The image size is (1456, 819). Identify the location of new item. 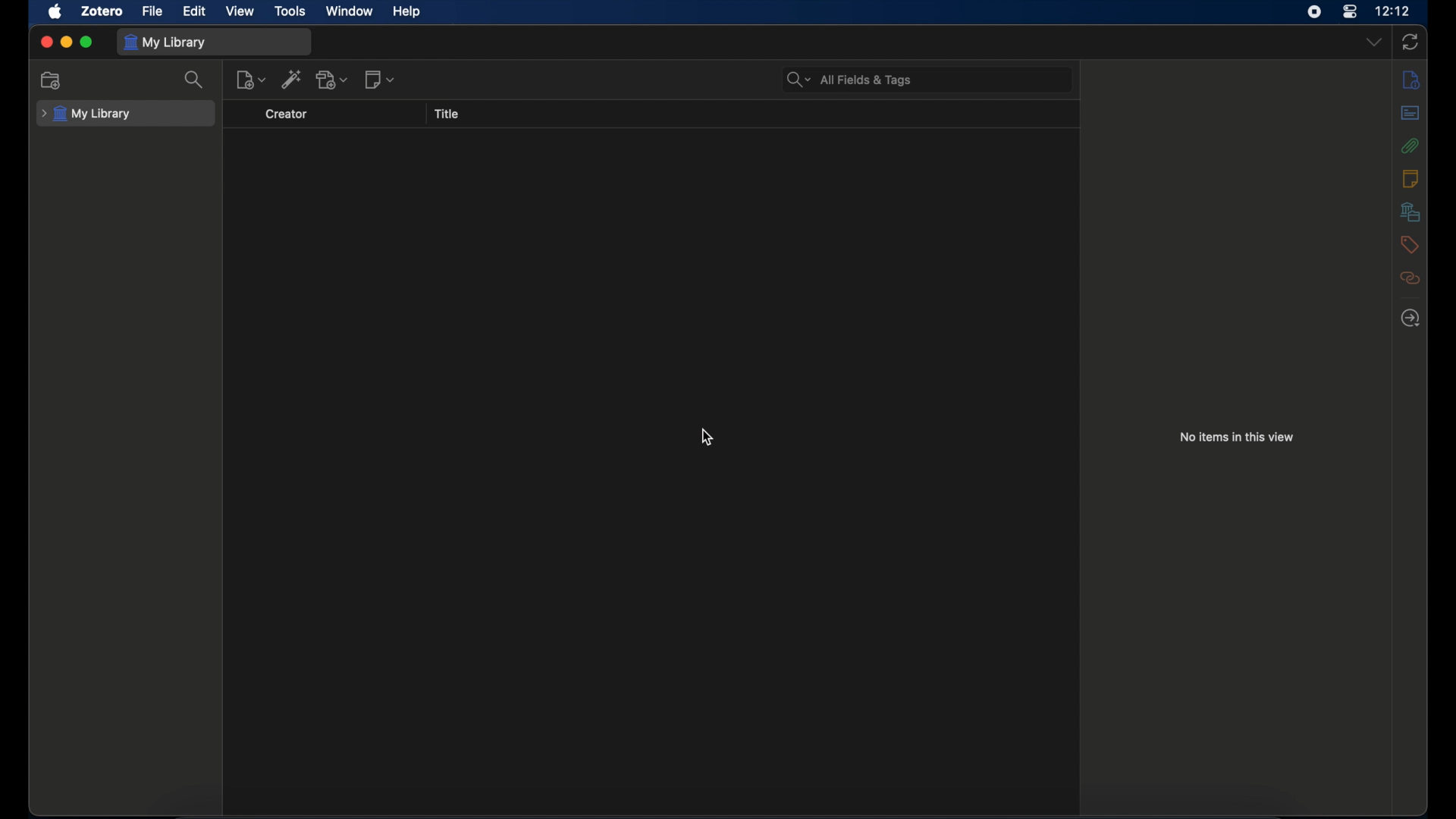
(250, 80).